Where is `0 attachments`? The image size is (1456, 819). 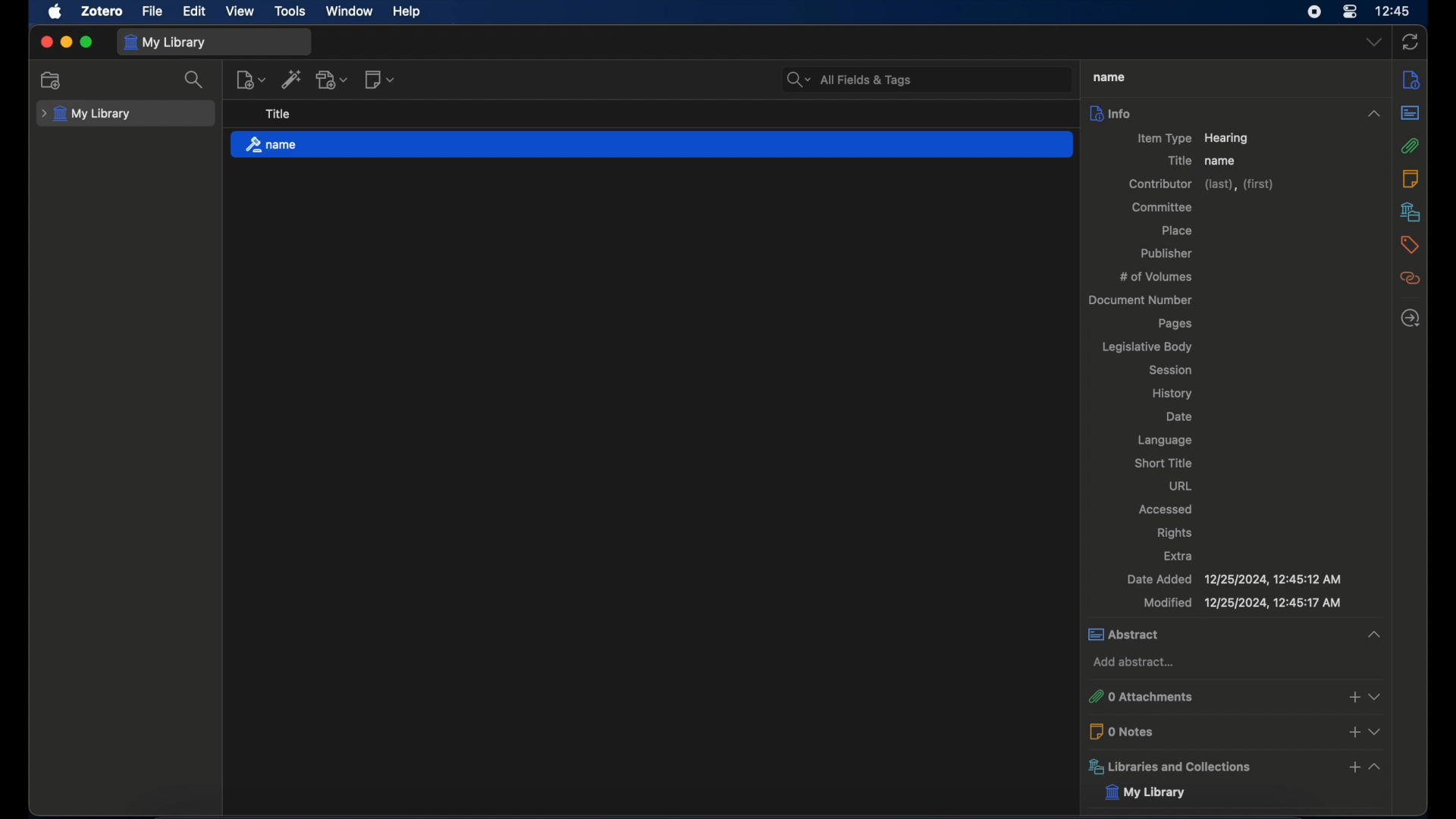 0 attachments is located at coordinates (1233, 698).